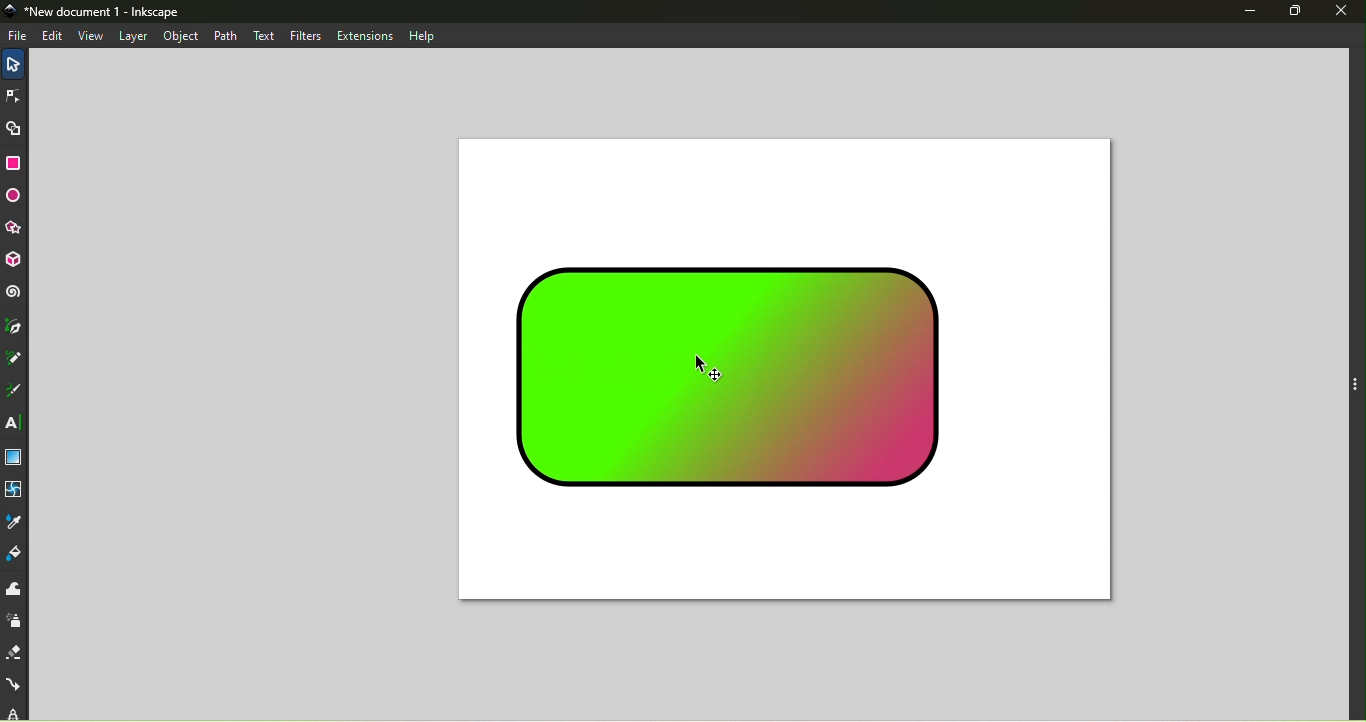  Describe the element at coordinates (111, 12) in the screenshot. I see `New document 1 - Inkscape` at that location.